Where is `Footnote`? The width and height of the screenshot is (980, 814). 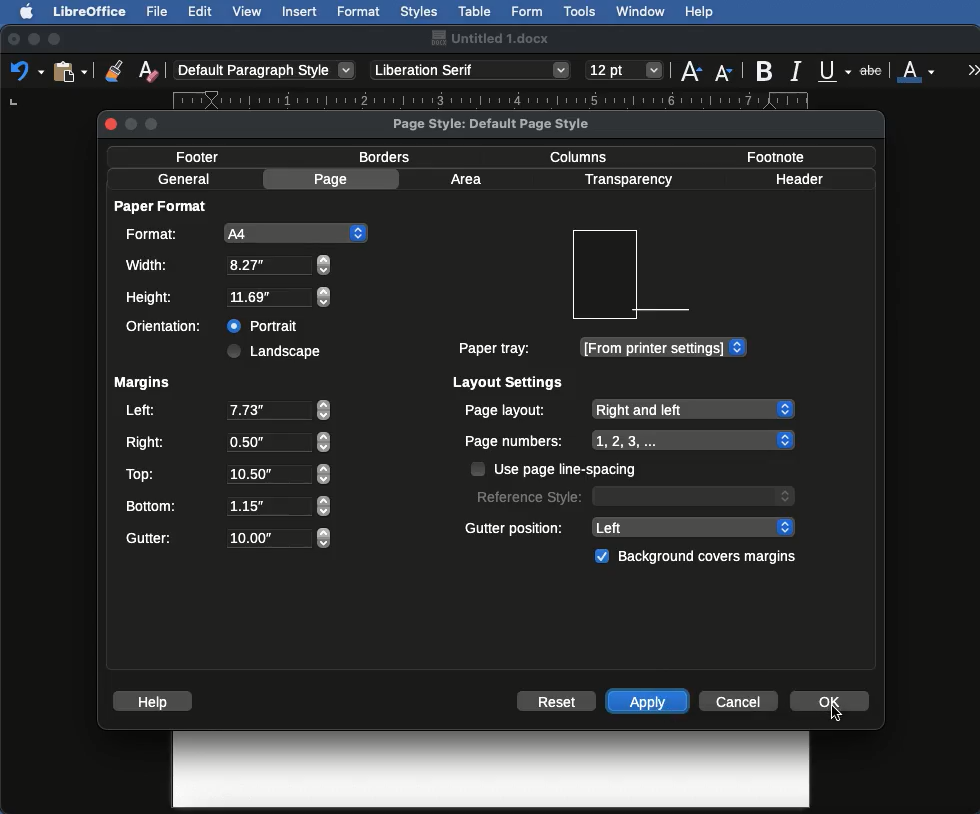
Footnote is located at coordinates (774, 156).